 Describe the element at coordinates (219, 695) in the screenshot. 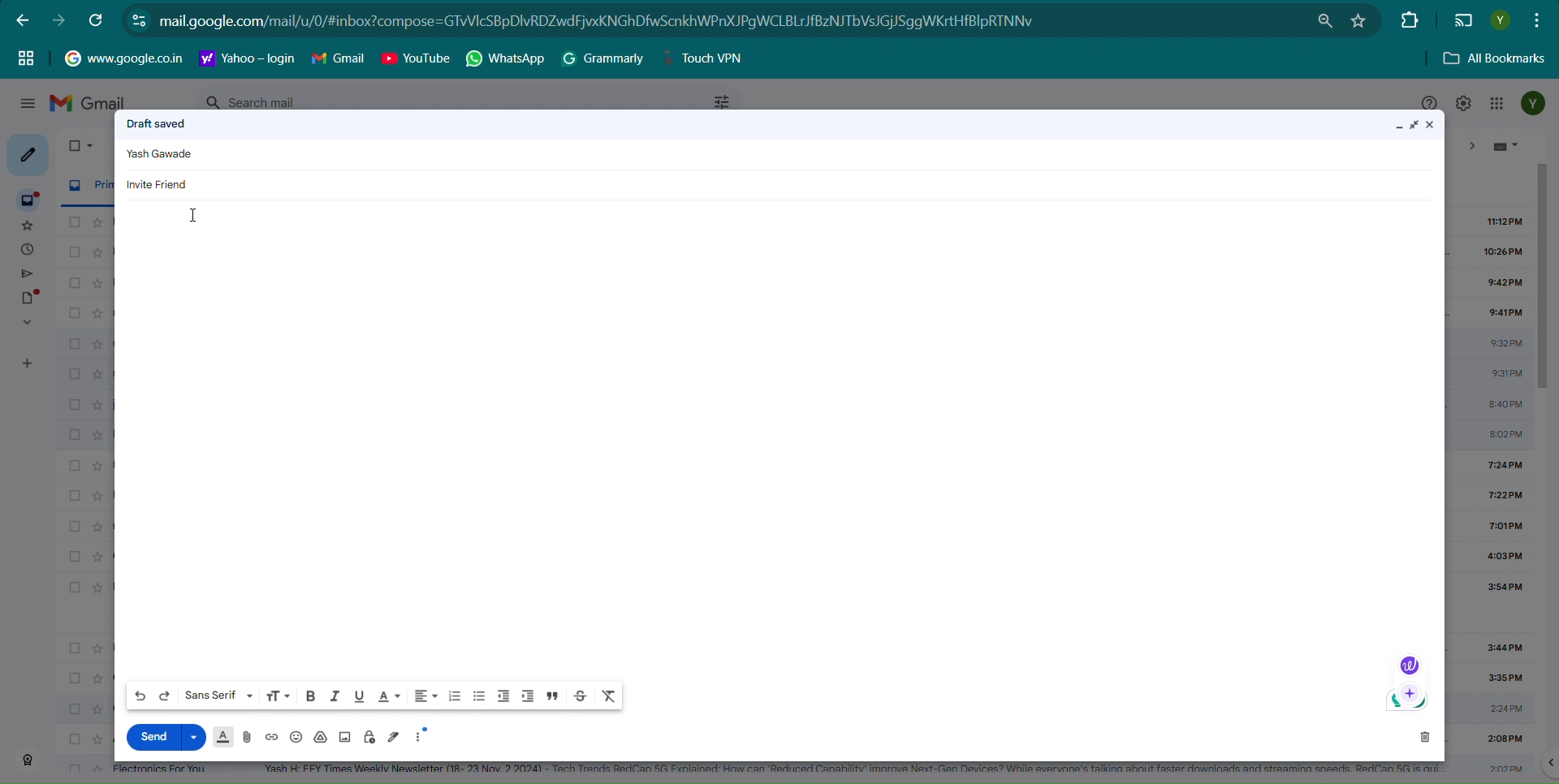

I see `Font ` at that location.